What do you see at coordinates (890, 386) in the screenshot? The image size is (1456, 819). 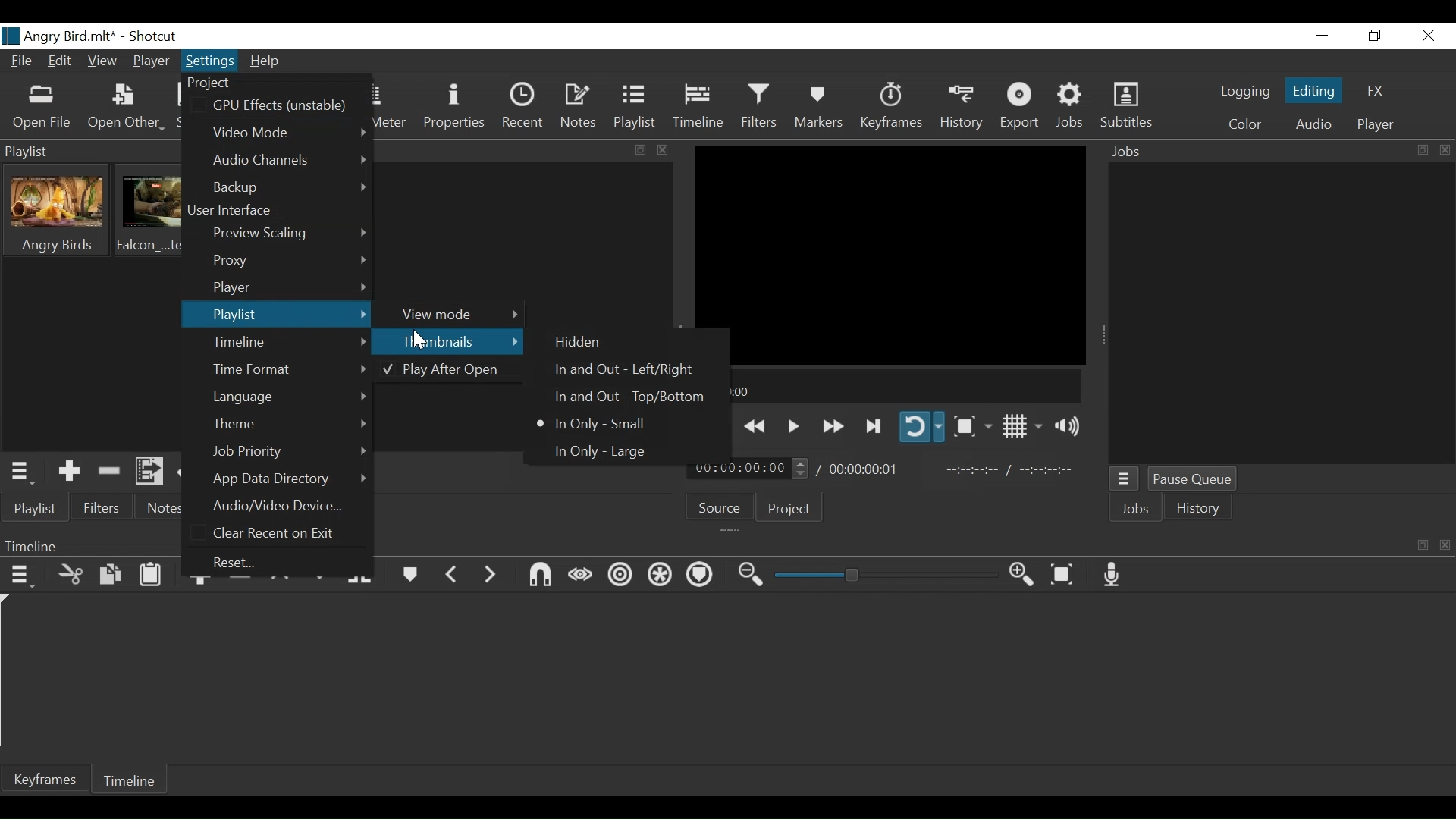 I see `Timeline` at bounding box center [890, 386].